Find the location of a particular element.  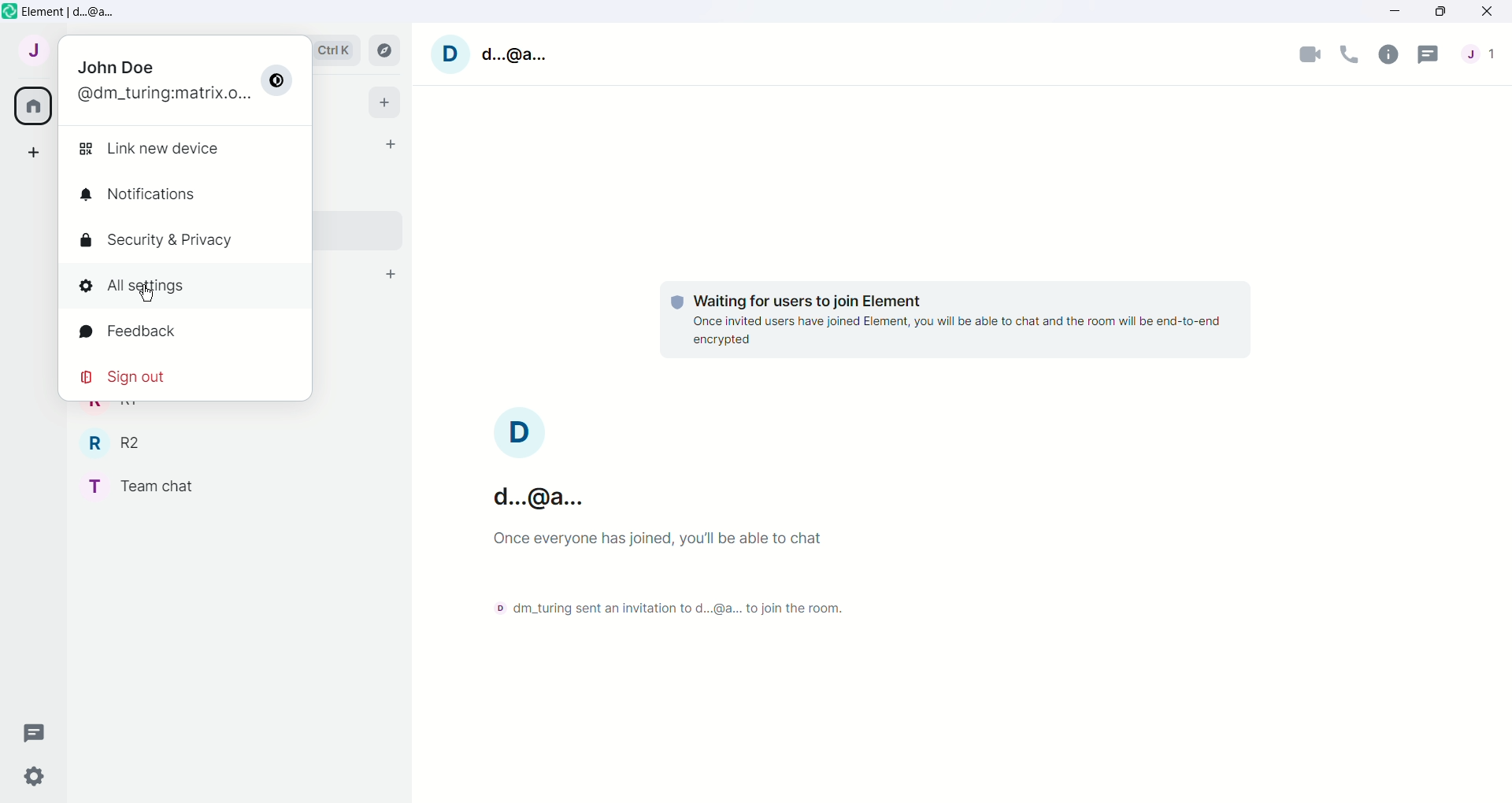

Team chat - room name is located at coordinates (148, 486).